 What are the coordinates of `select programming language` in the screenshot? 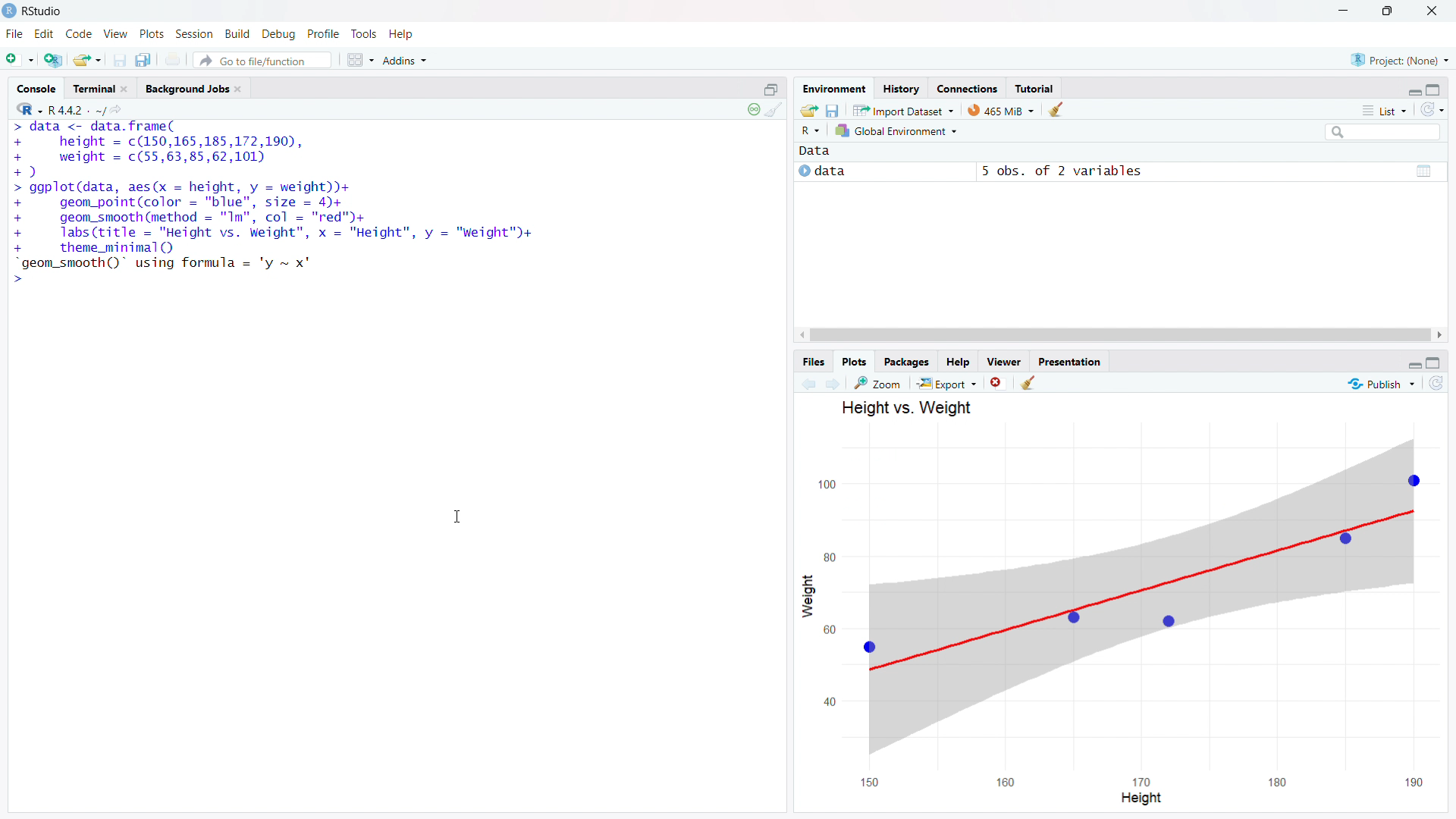 It's located at (29, 108).